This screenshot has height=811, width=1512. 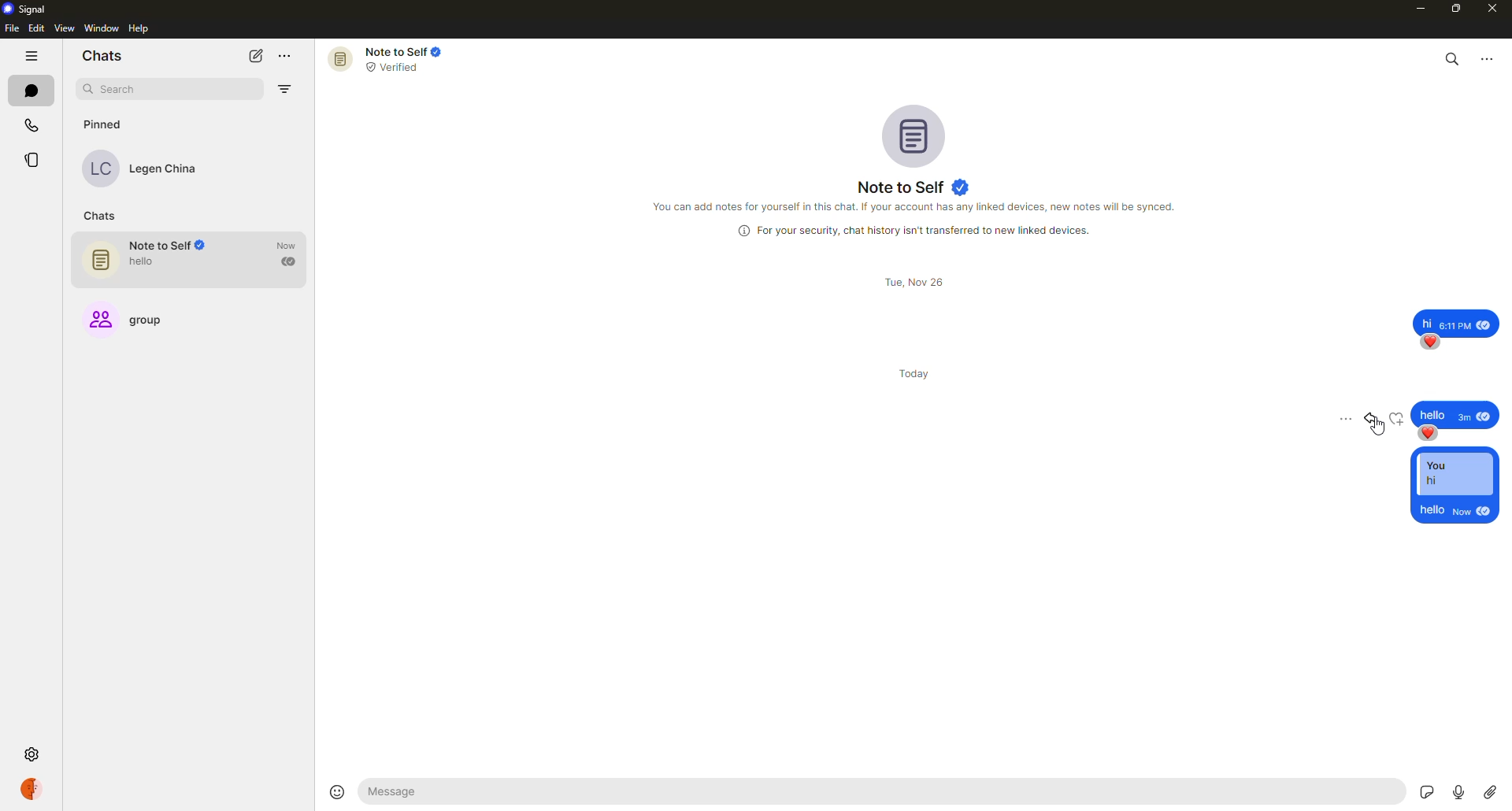 What do you see at coordinates (1494, 8) in the screenshot?
I see `close` at bounding box center [1494, 8].